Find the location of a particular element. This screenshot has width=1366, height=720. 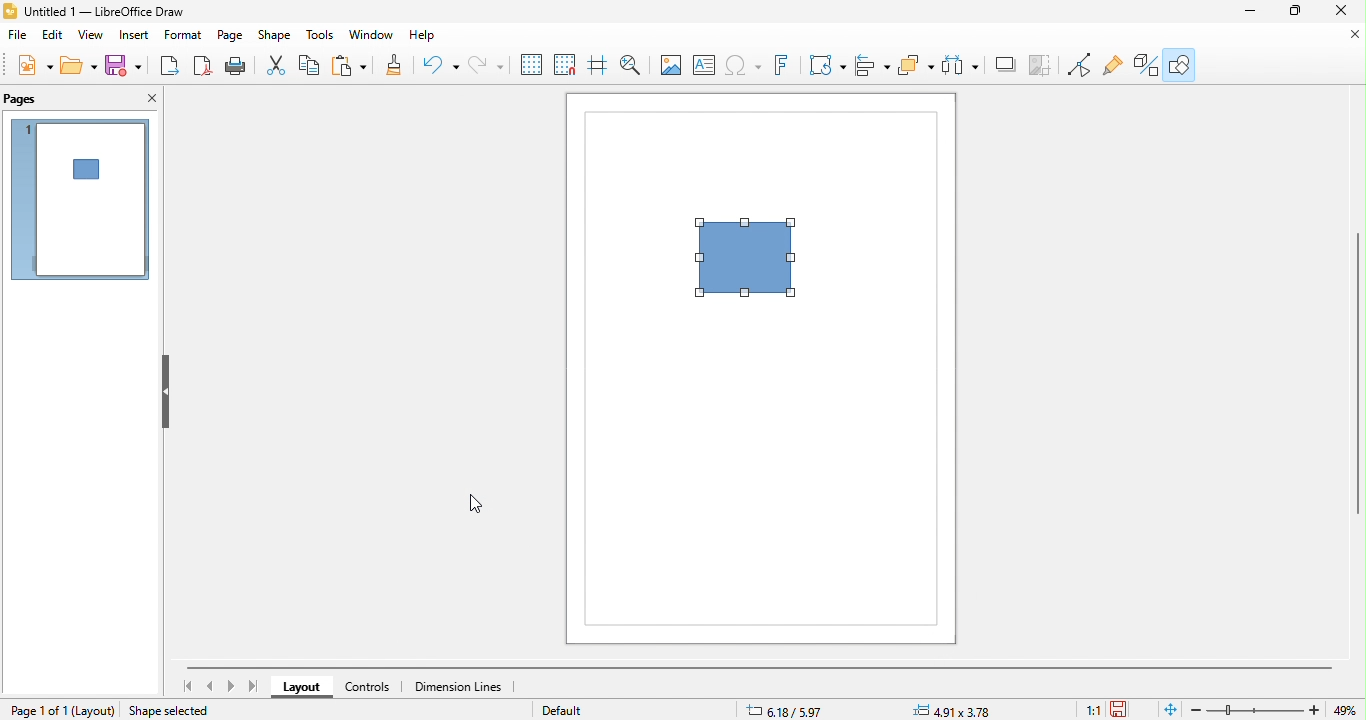

paste is located at coordinates (353, 66).